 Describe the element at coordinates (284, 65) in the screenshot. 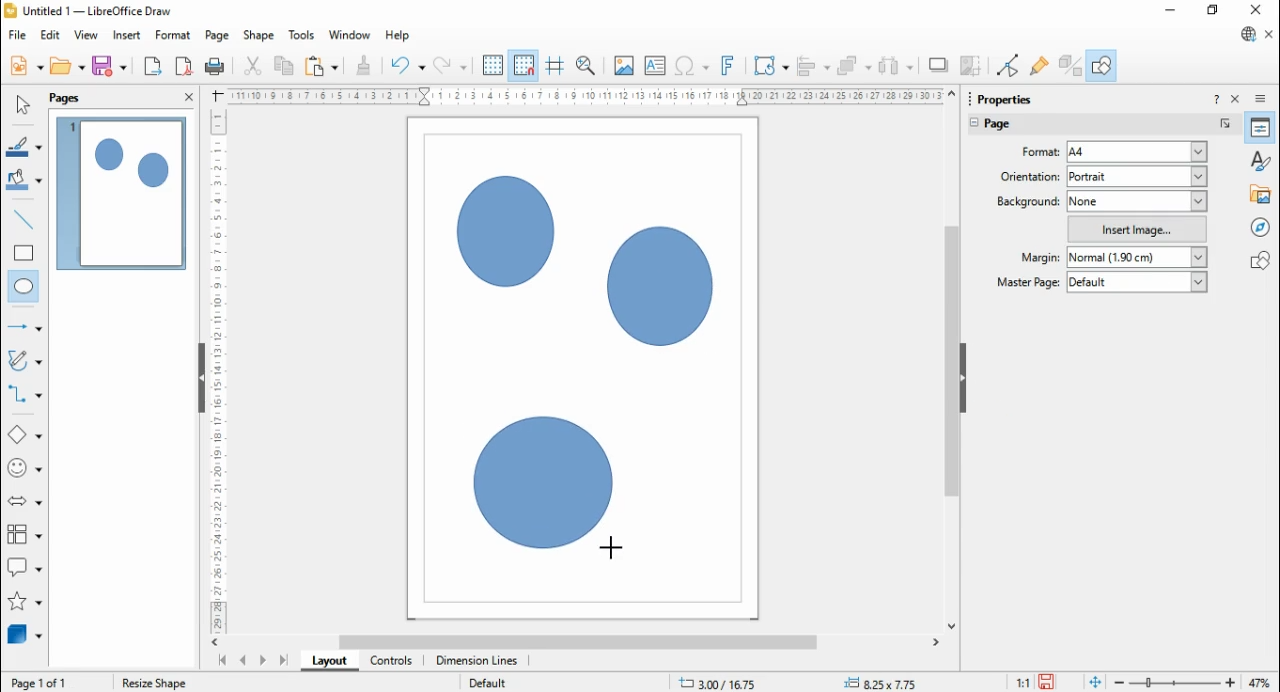

I see `copy` at that location.